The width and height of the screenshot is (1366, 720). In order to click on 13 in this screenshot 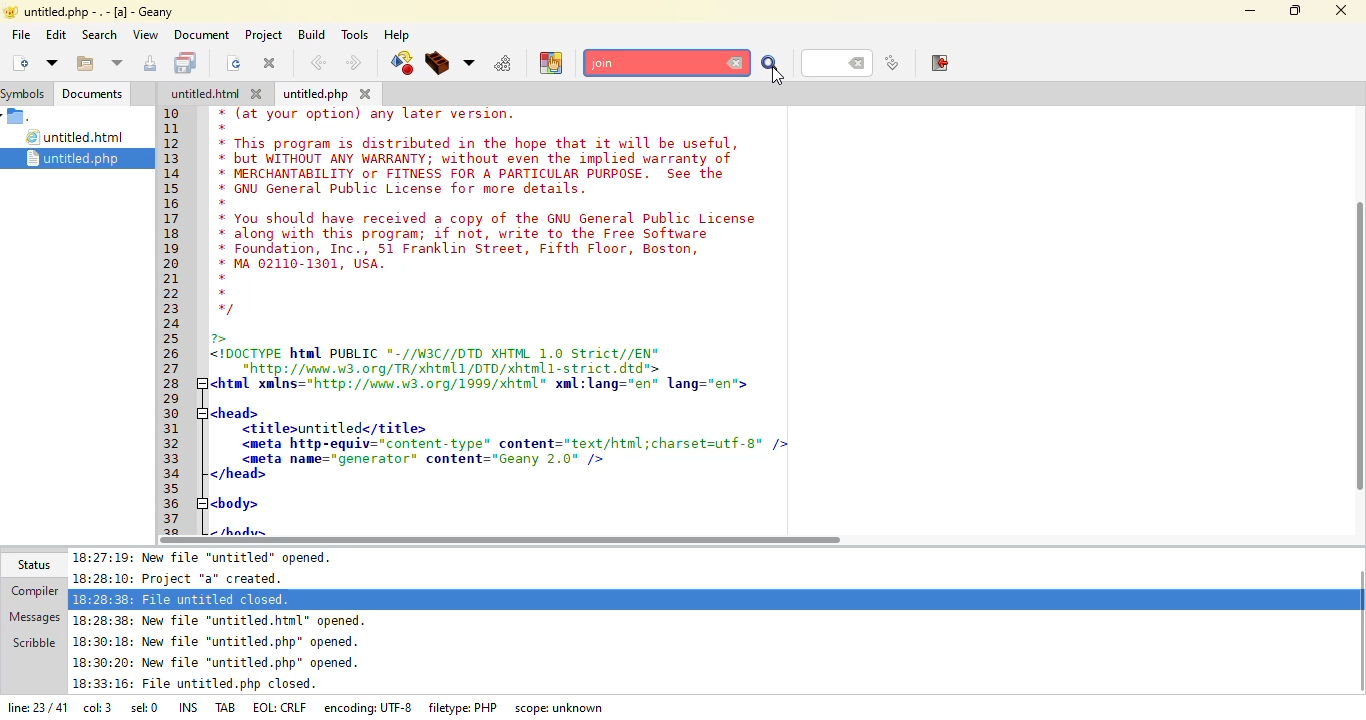, I will do `click(172, 158)`.